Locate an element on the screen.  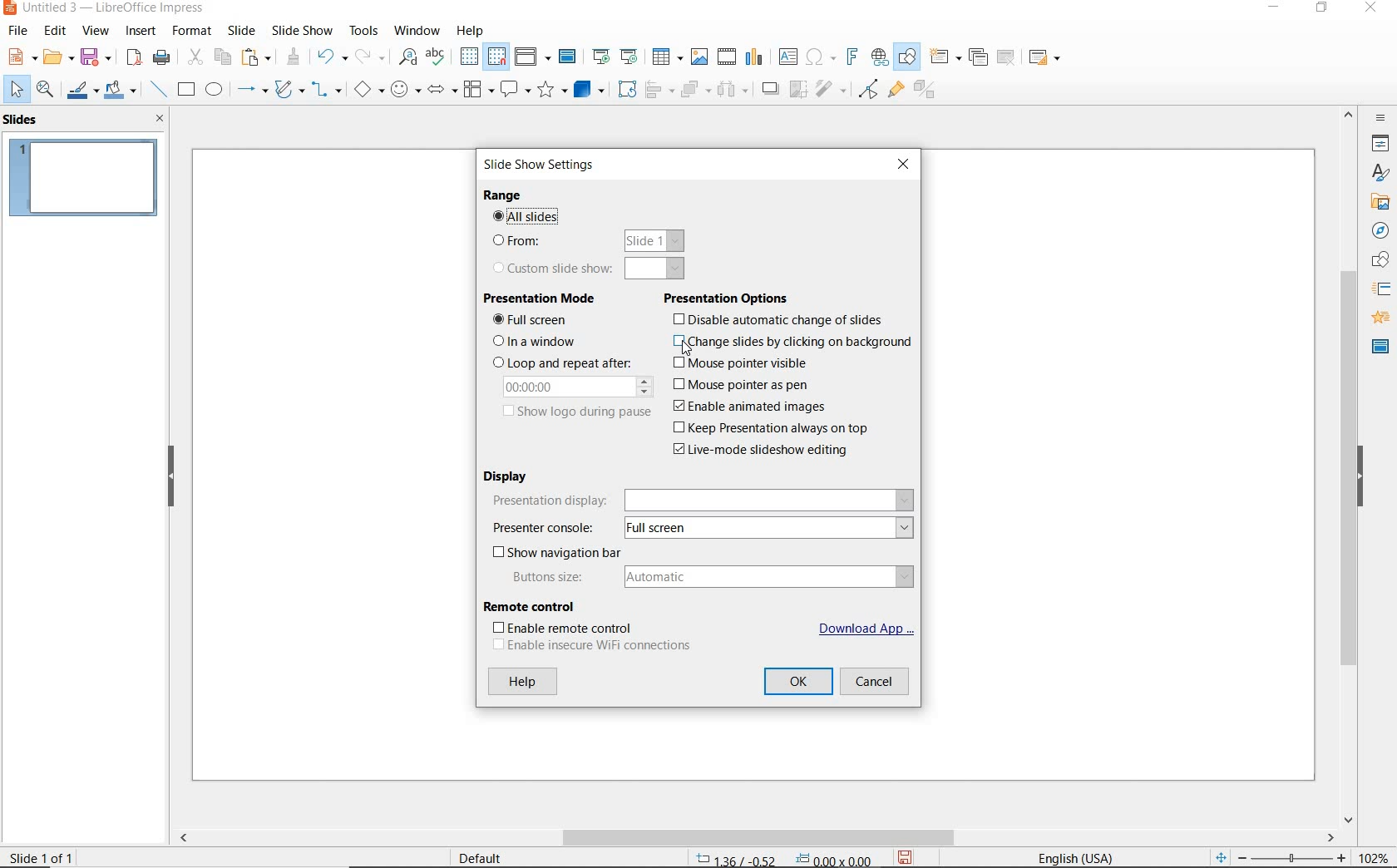
INSERT is located at coordinates (141, 32).